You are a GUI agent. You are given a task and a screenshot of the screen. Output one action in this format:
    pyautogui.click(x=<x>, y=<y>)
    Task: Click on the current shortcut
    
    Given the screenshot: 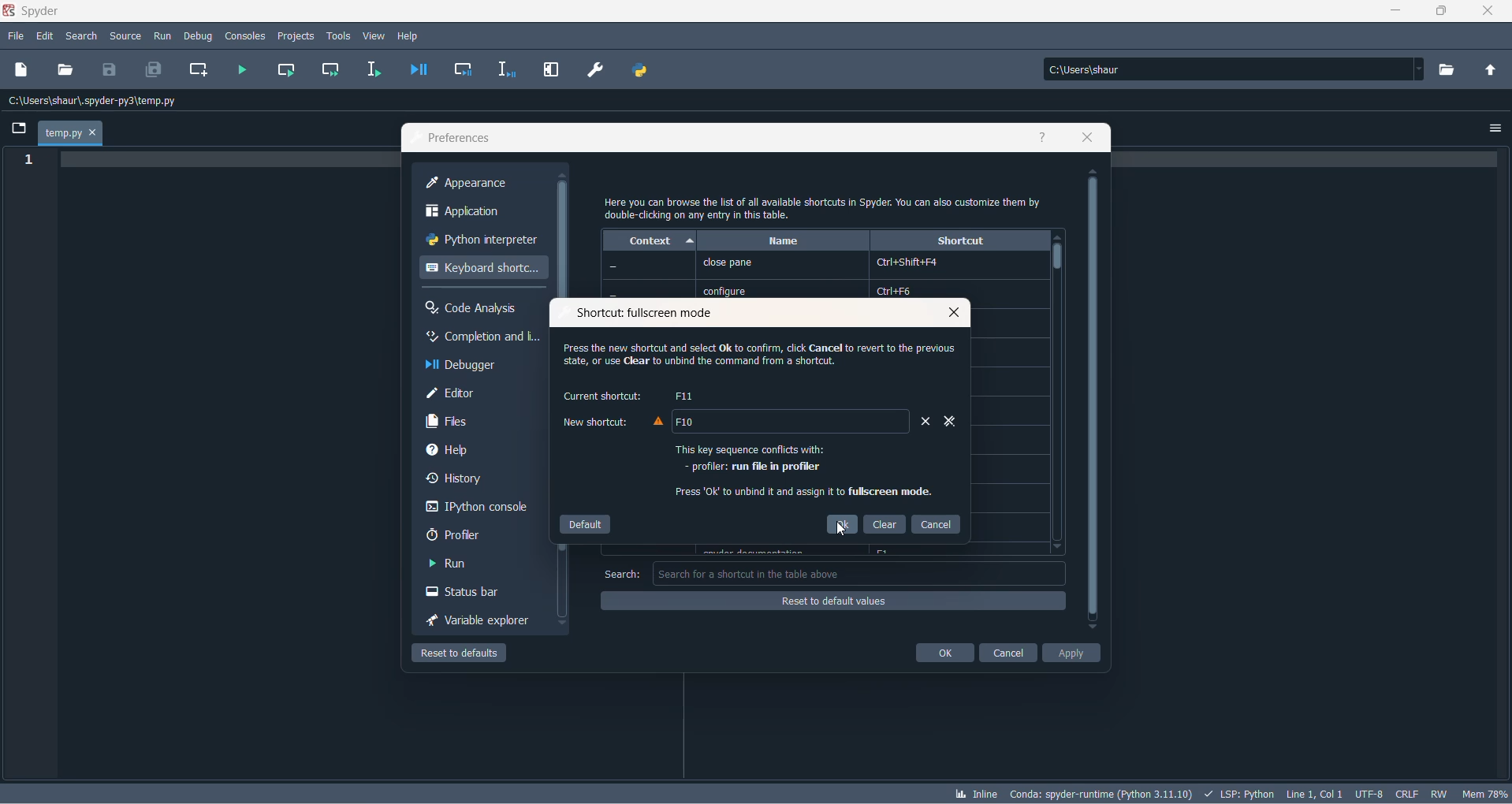 What is the action you would take?
    pyautogui.click(x=601, y=396)
    